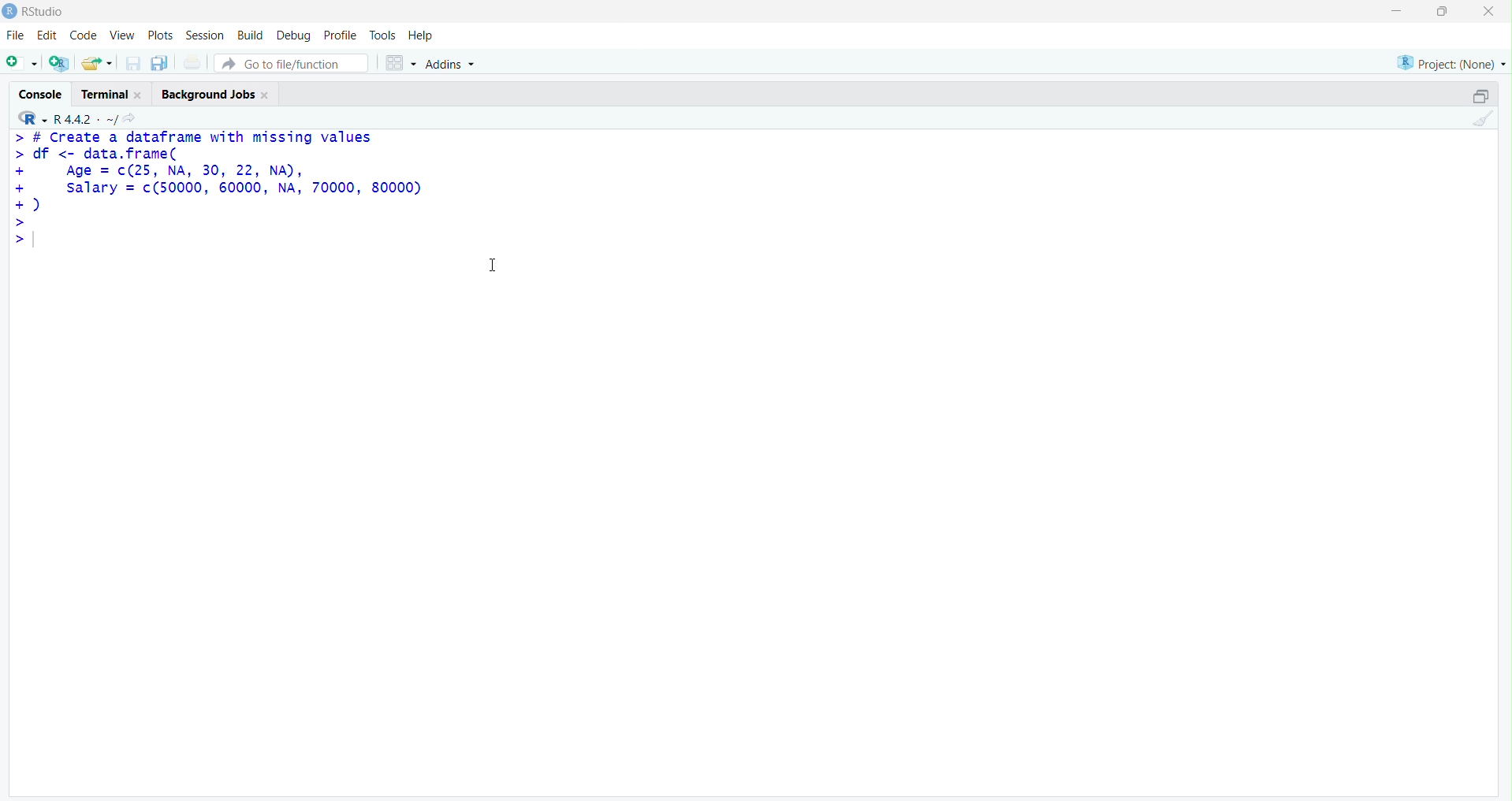  Describe the element at coordinates (97, 62) in the screenshot. I see `Open an existing file (Ctrl + O)` at that location.